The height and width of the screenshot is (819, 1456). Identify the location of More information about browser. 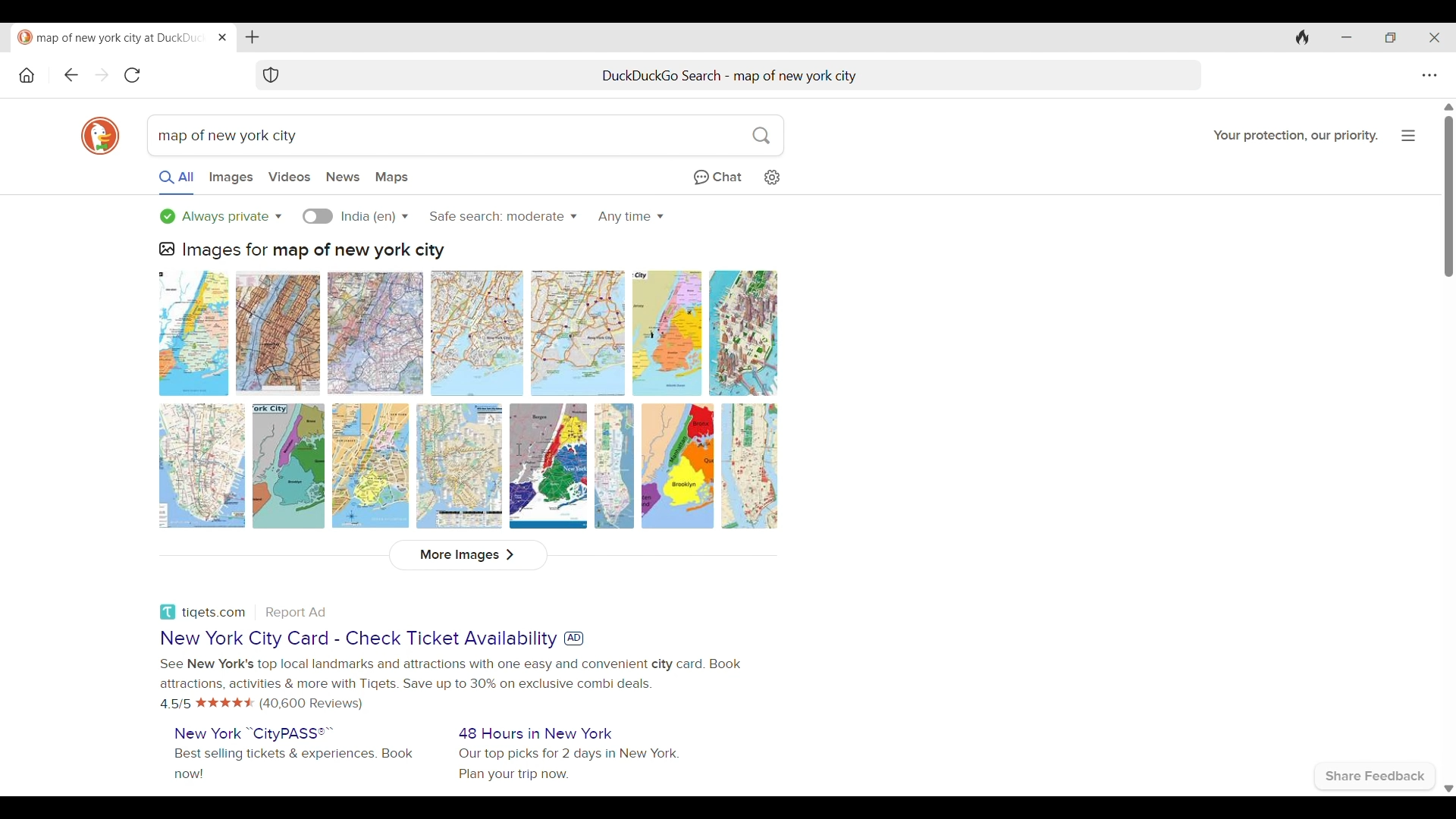
(1409, 136).